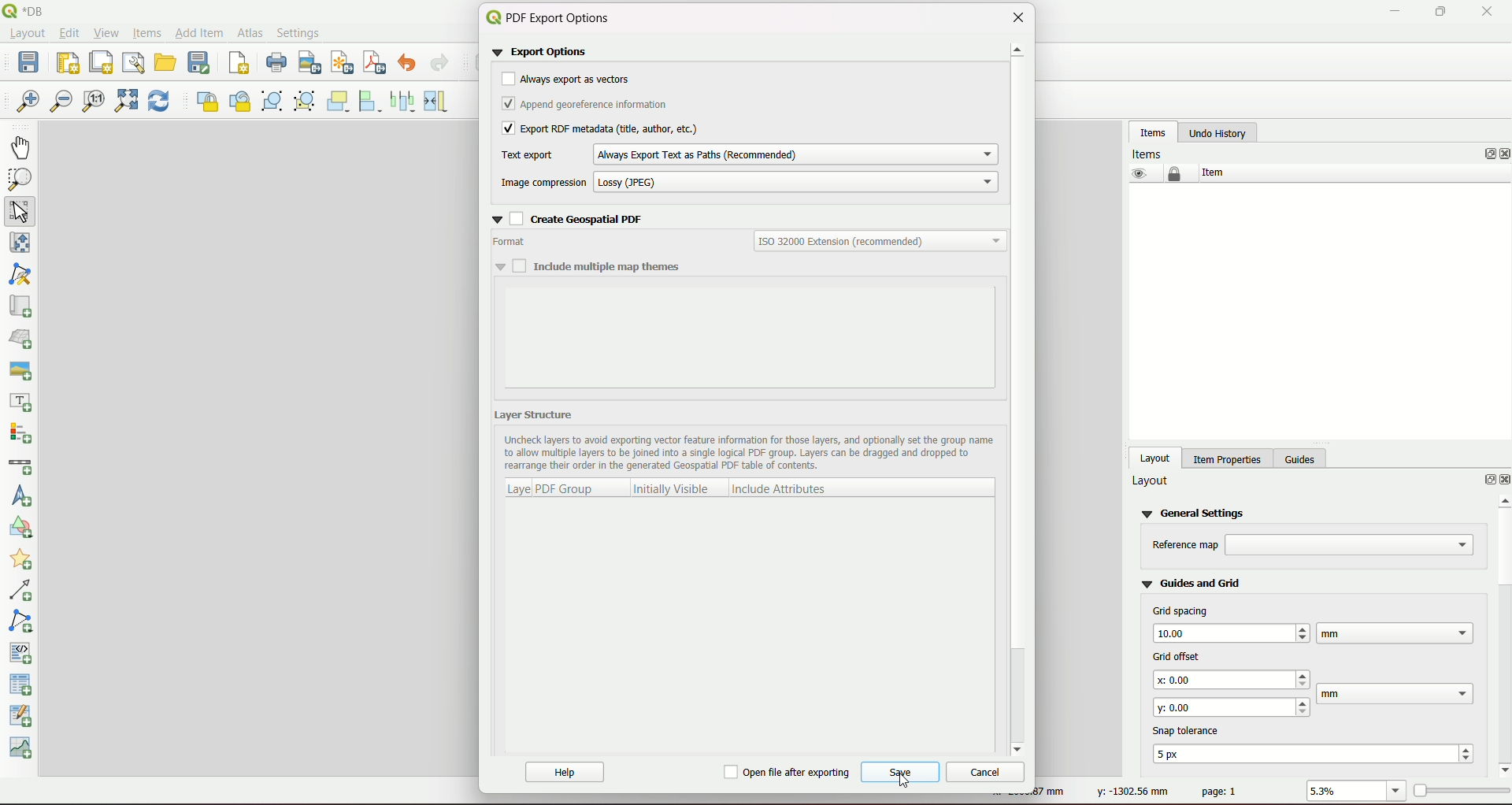 This screenshot has height=805, width=1512. I want to click on new layout, so click(68, 61).